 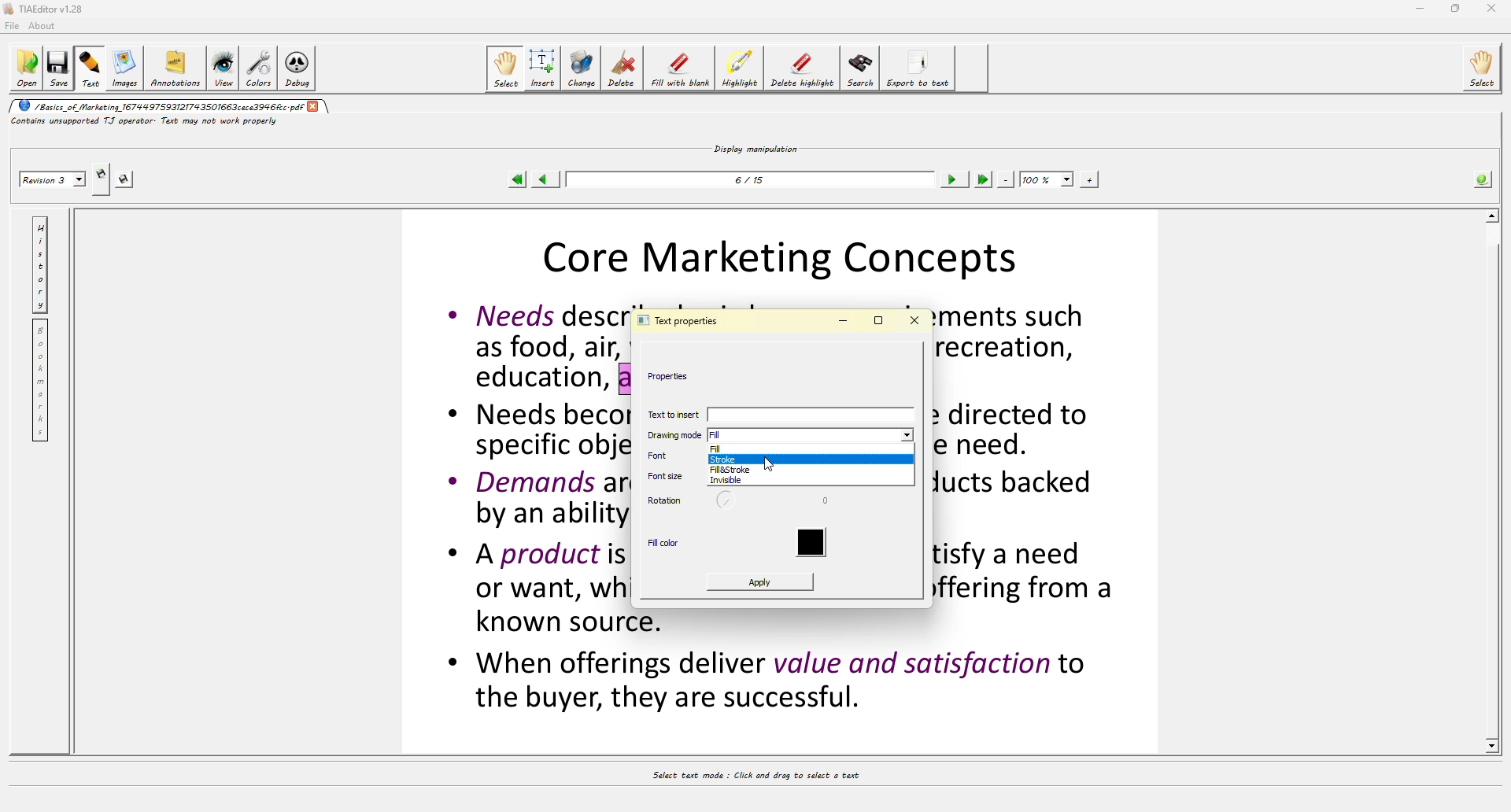 I want to click on select text mode : Click and drag to select a text, so click(x=772, y=777).